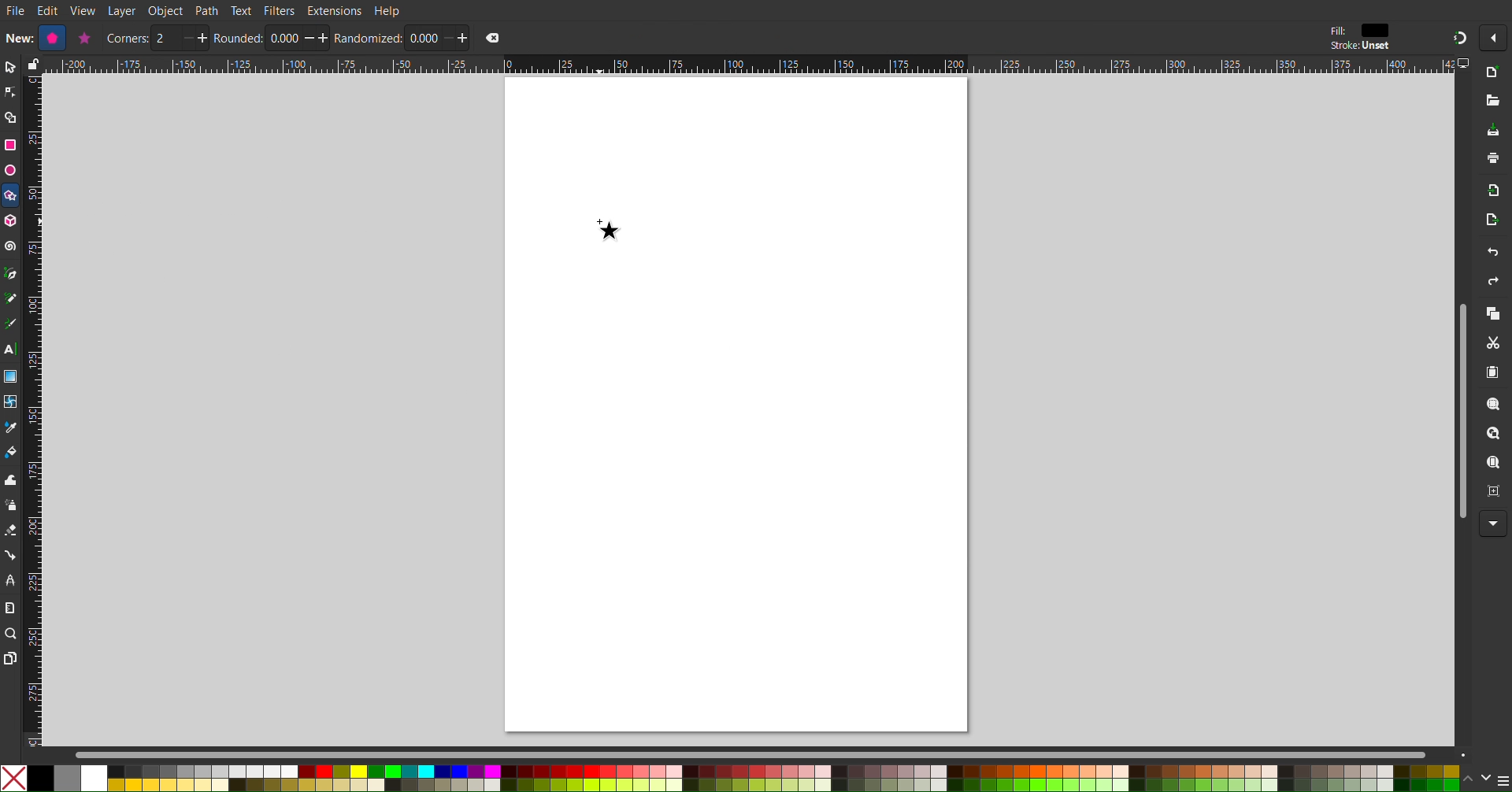  What do you see at coordinates (83, 11) in the screenshot?
I see `View` at bounding box center [83, 11].